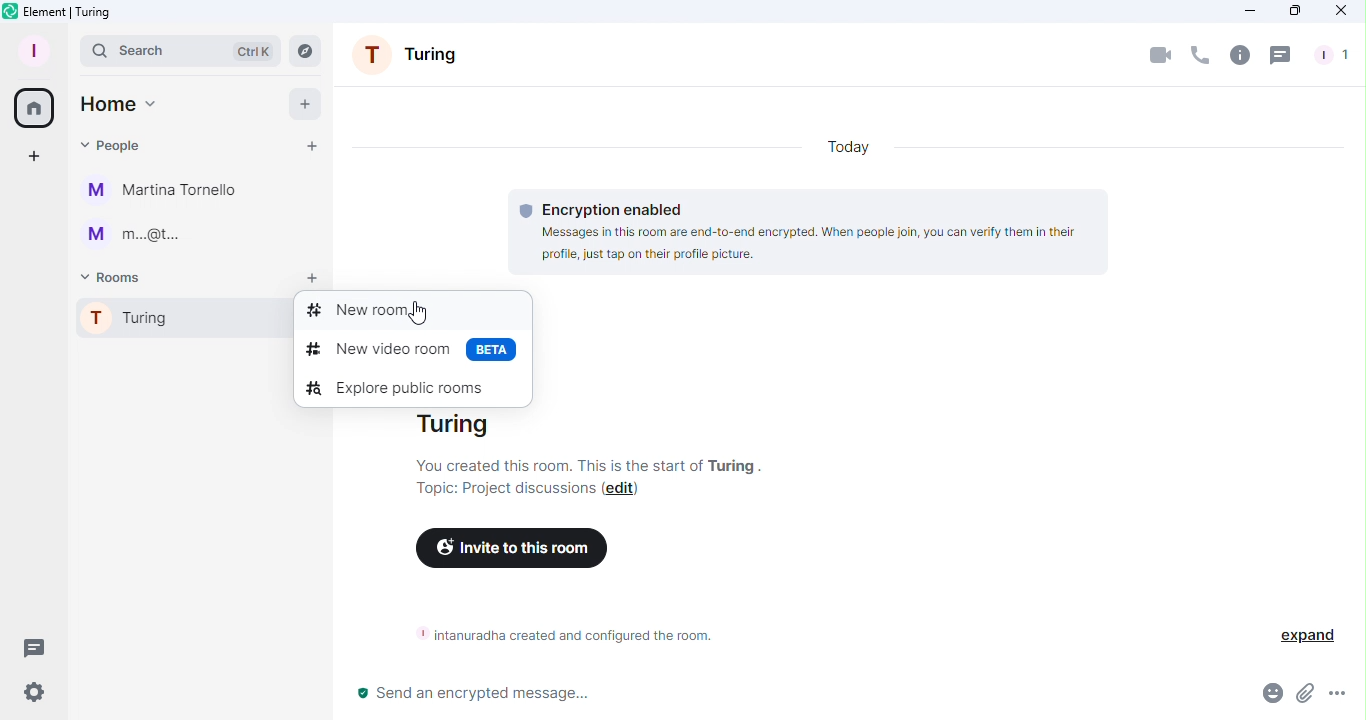  Describe the element at coordinates (30, 49) in the screenshot. I see `Profile` at that location.